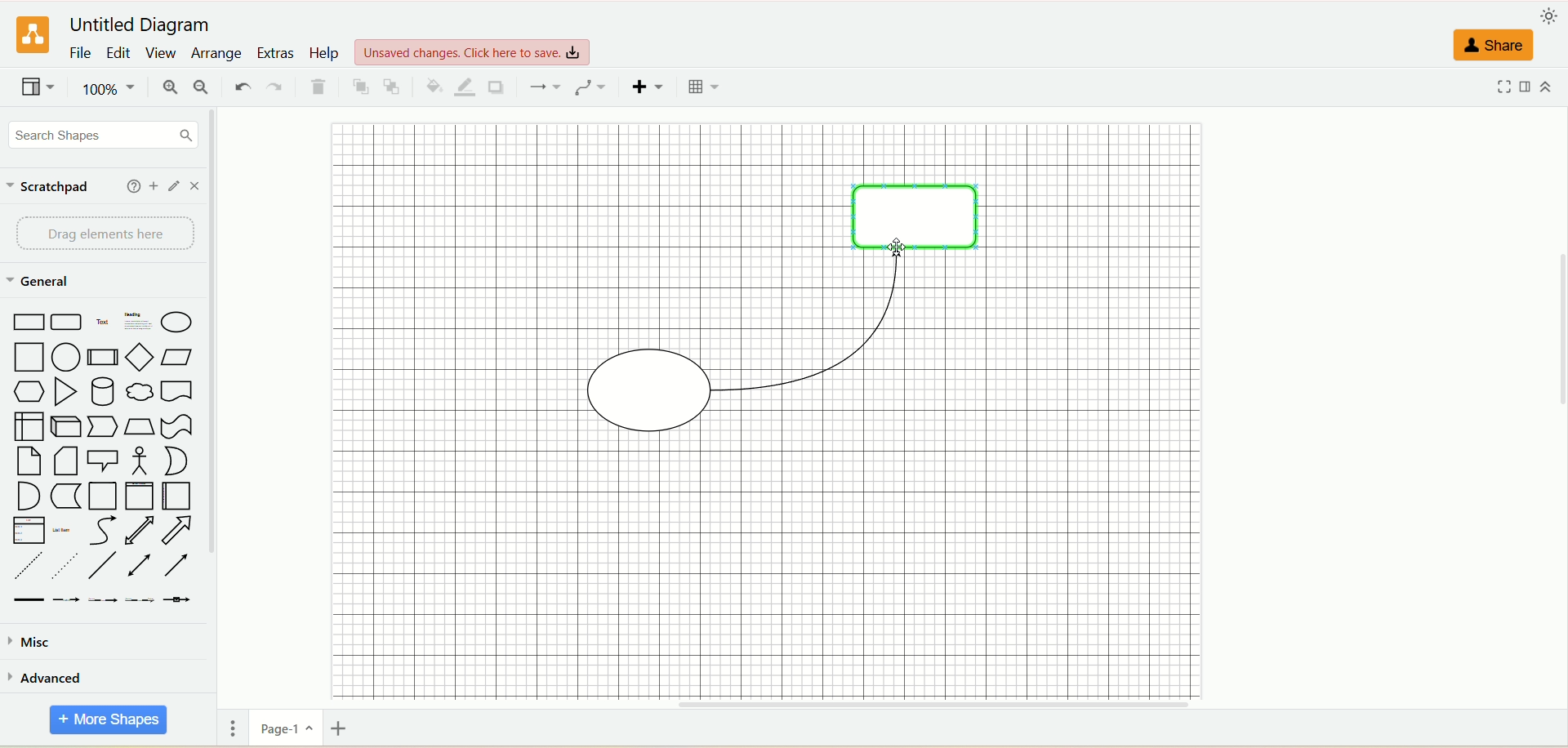 This screenshot has height=748, width=1568. I want to click on waypoints, so click(590, 87).